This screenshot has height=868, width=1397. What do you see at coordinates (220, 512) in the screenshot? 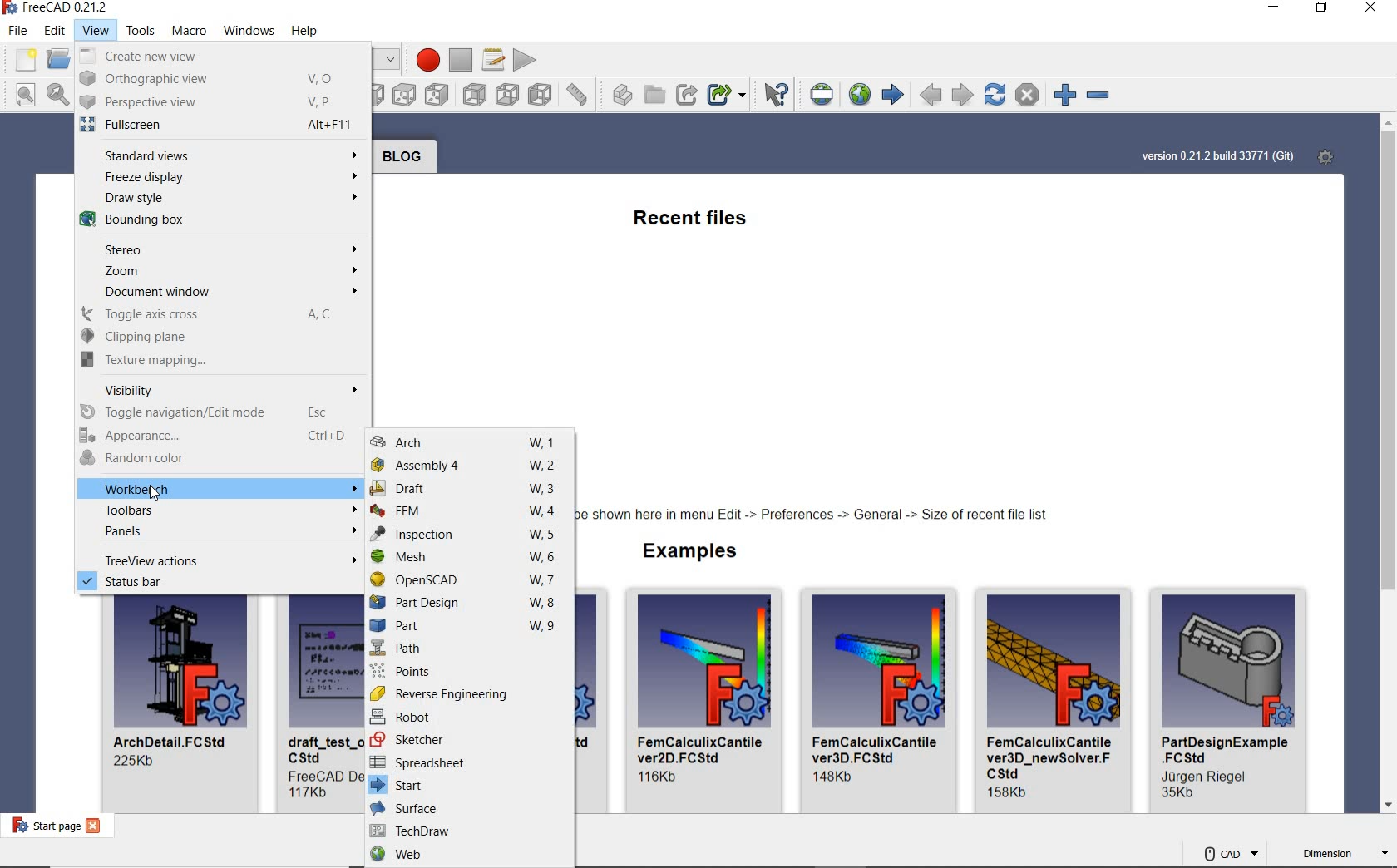
I see `toolbars` at bounding box center [220, 512].